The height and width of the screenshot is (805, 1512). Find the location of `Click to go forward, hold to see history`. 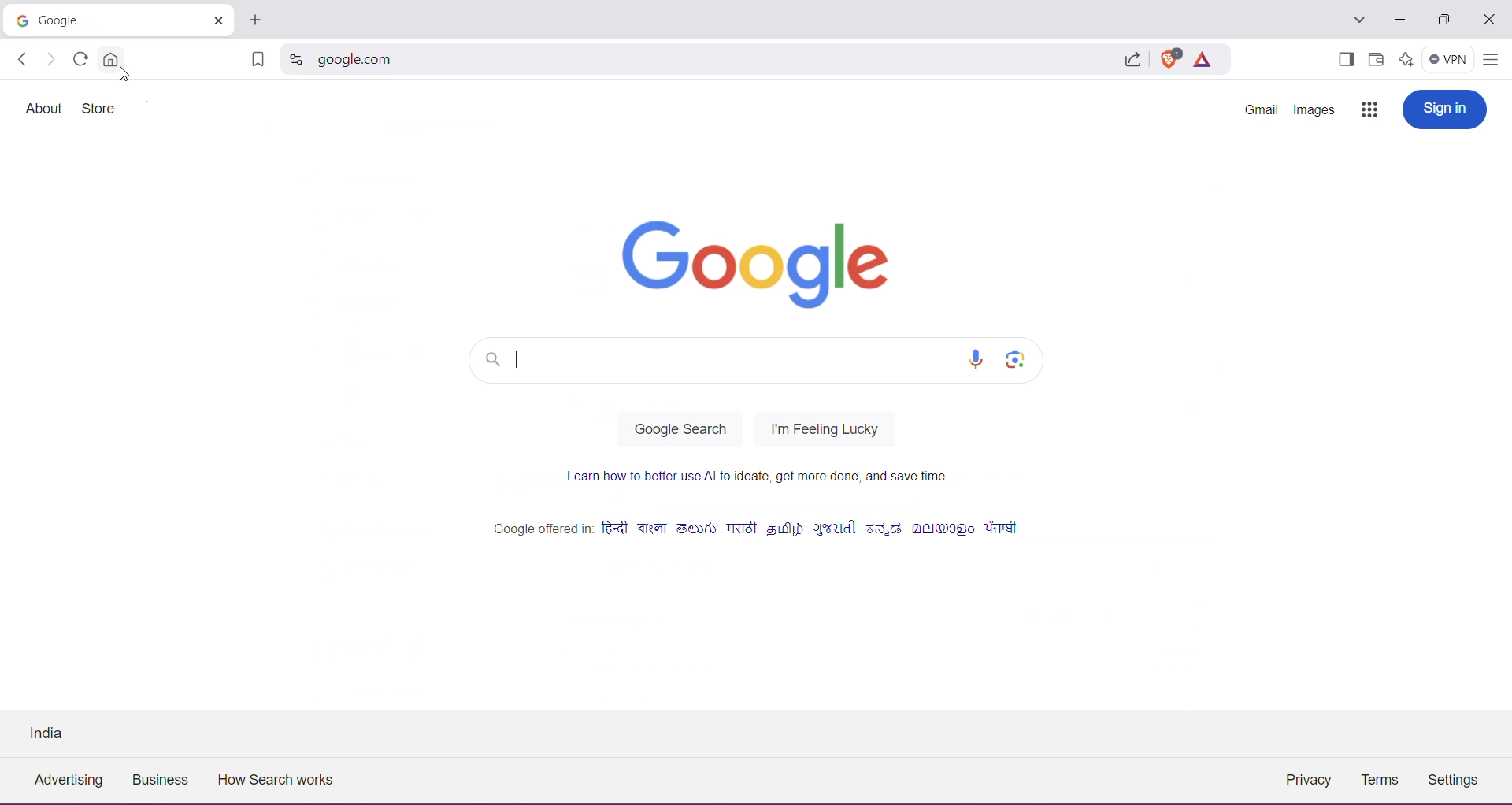

Click to go forward, hold to see history is located at coordinates (51, 60).